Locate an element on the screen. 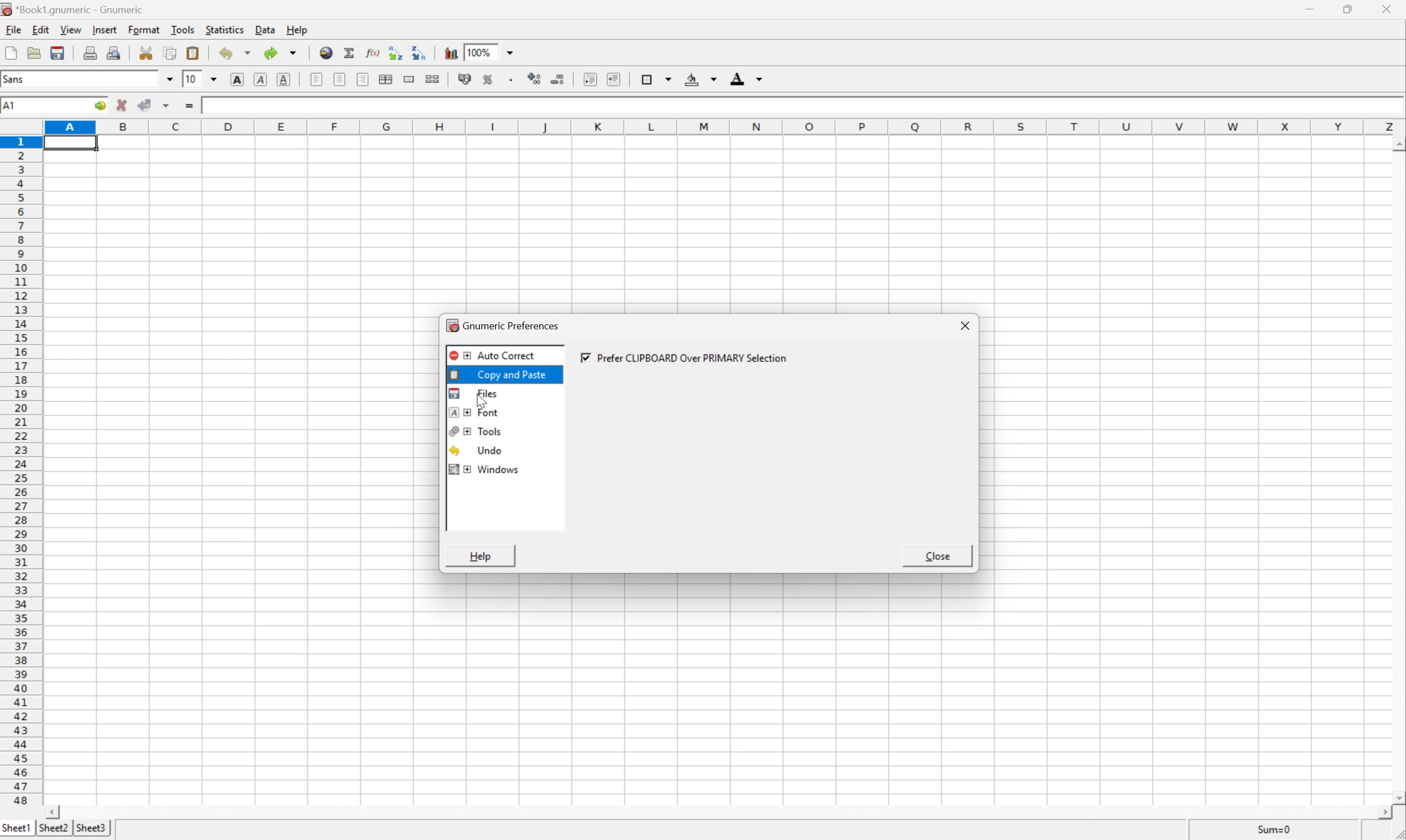 The width and height of the screenshot is (1406, 840). decrease indent is located at coordinates (588, 80).